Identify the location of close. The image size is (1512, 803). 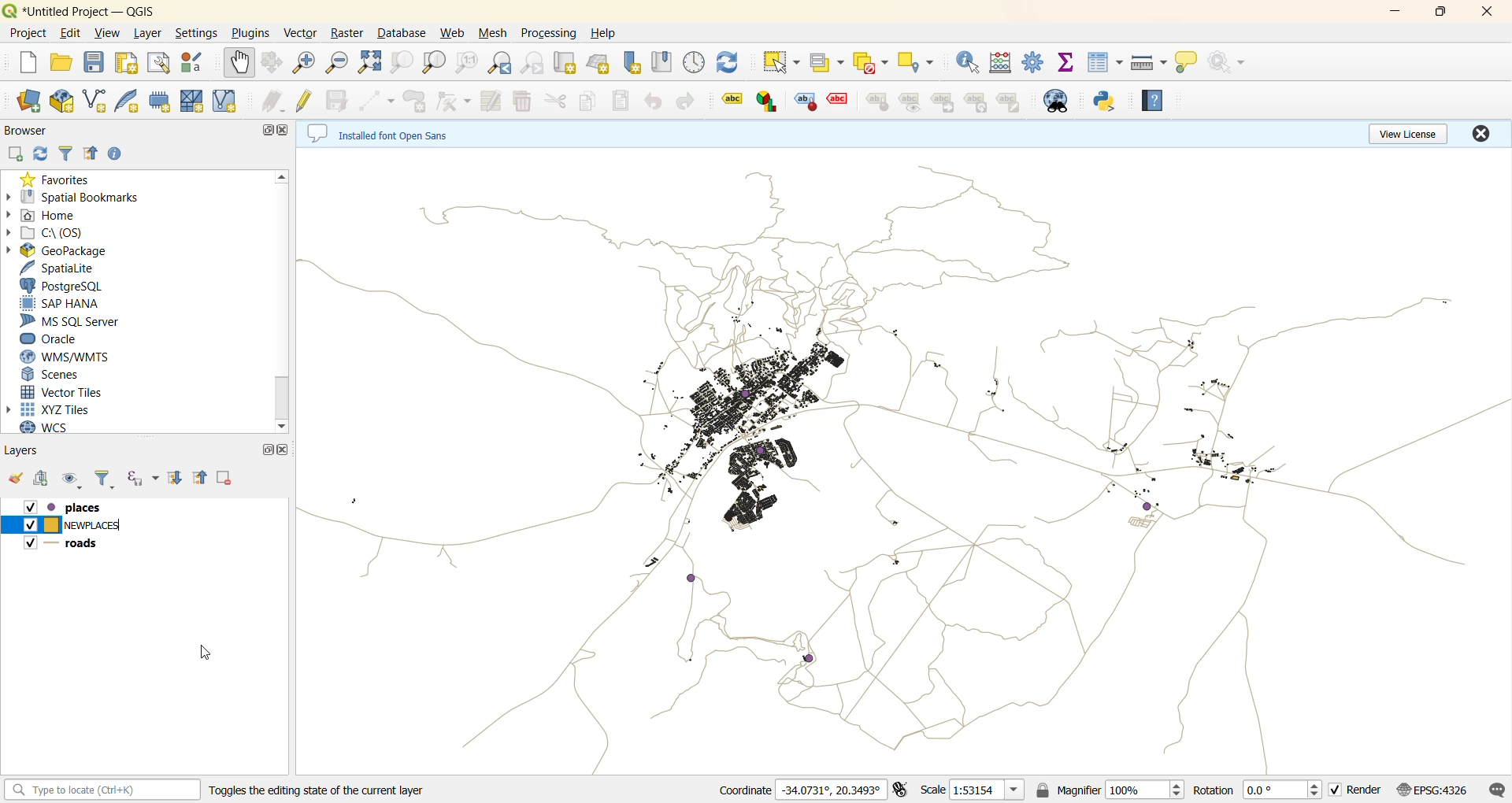
(286, 447).